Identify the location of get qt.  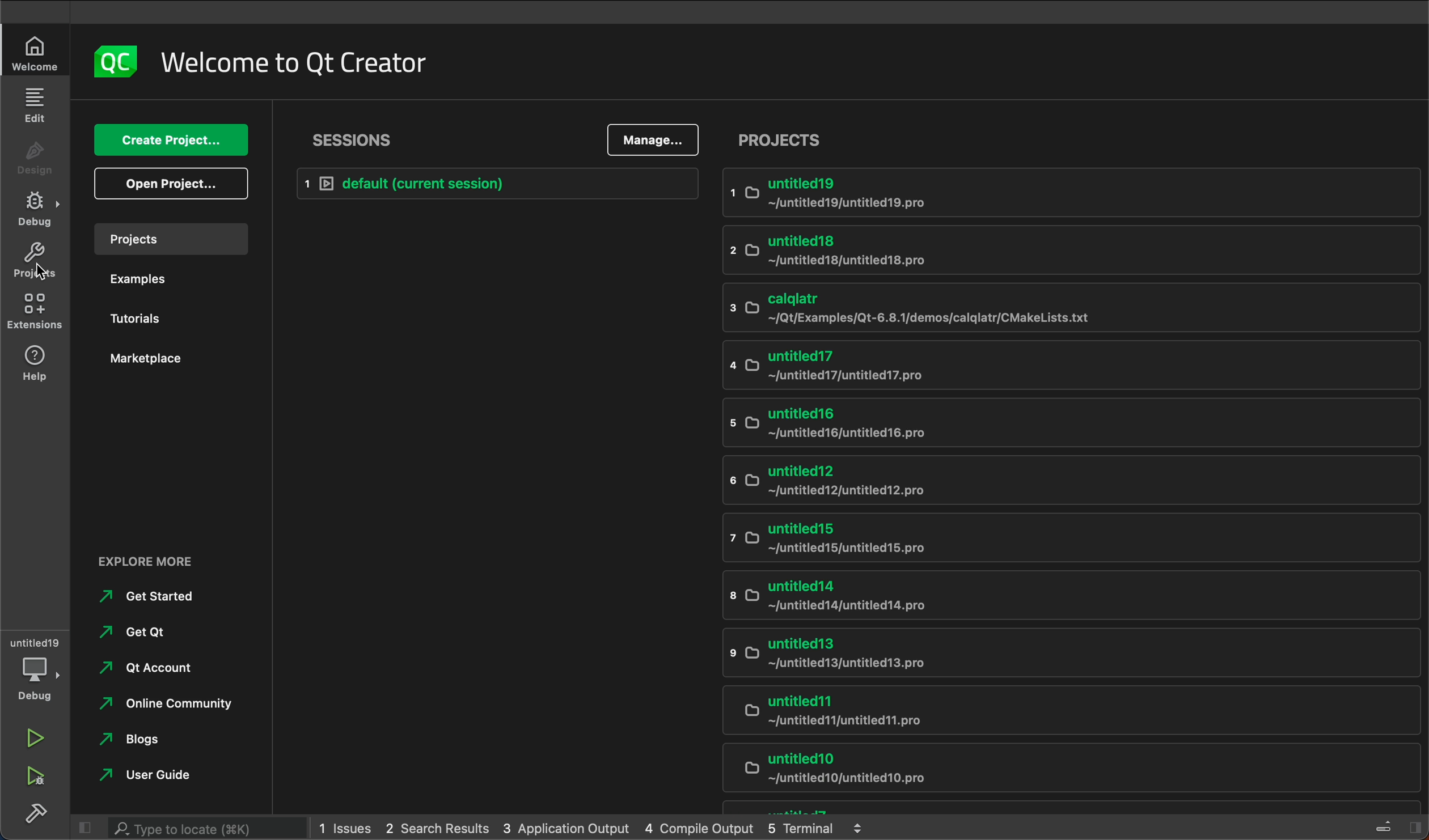
(142, 629).